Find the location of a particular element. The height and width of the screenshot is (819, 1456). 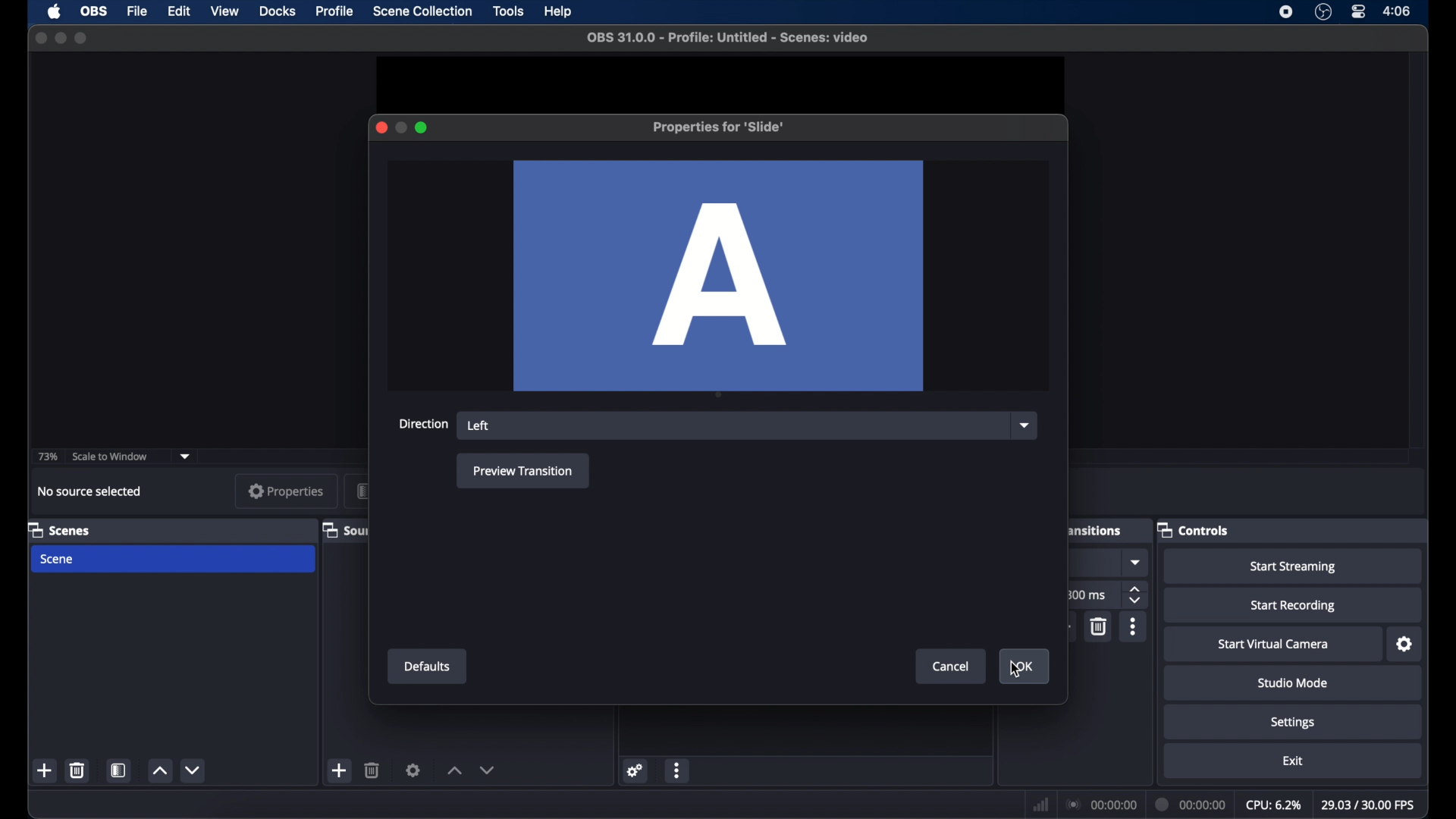

stepper button is located at coordinates (1137, 595).